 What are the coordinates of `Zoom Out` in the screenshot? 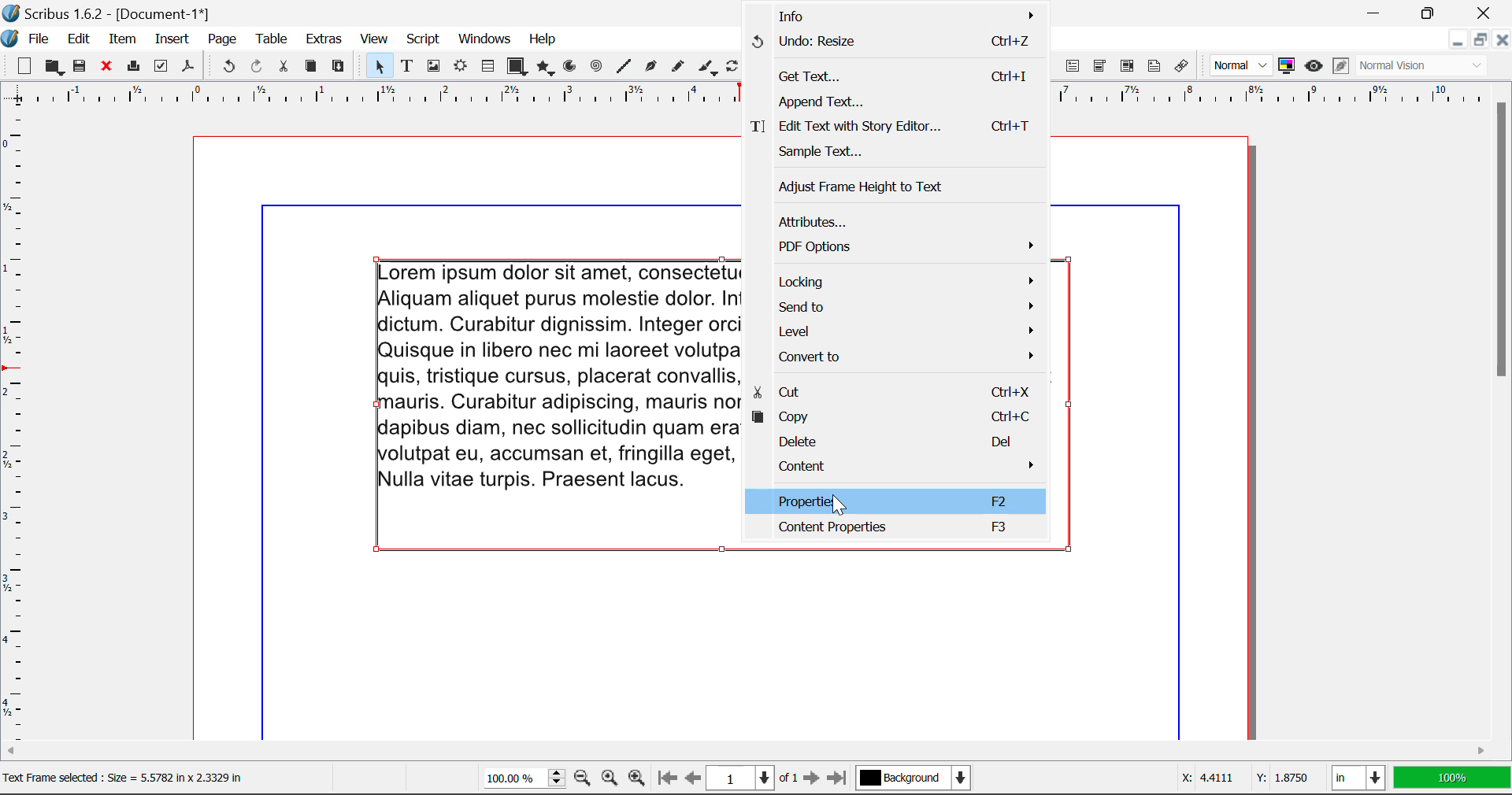 It's located at (584, 779).